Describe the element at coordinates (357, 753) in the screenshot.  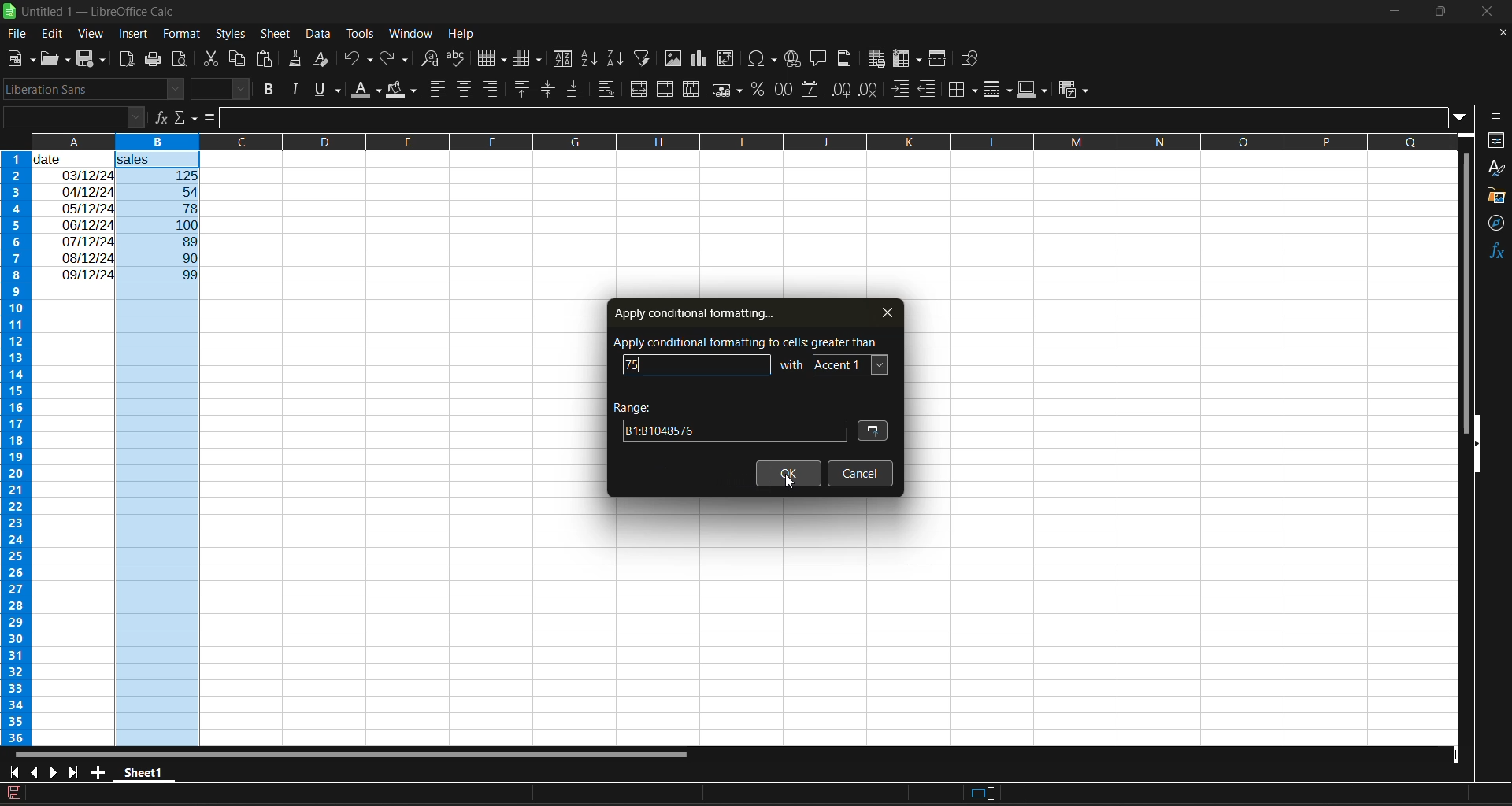
I see `horizontal scroll bar` at that location.